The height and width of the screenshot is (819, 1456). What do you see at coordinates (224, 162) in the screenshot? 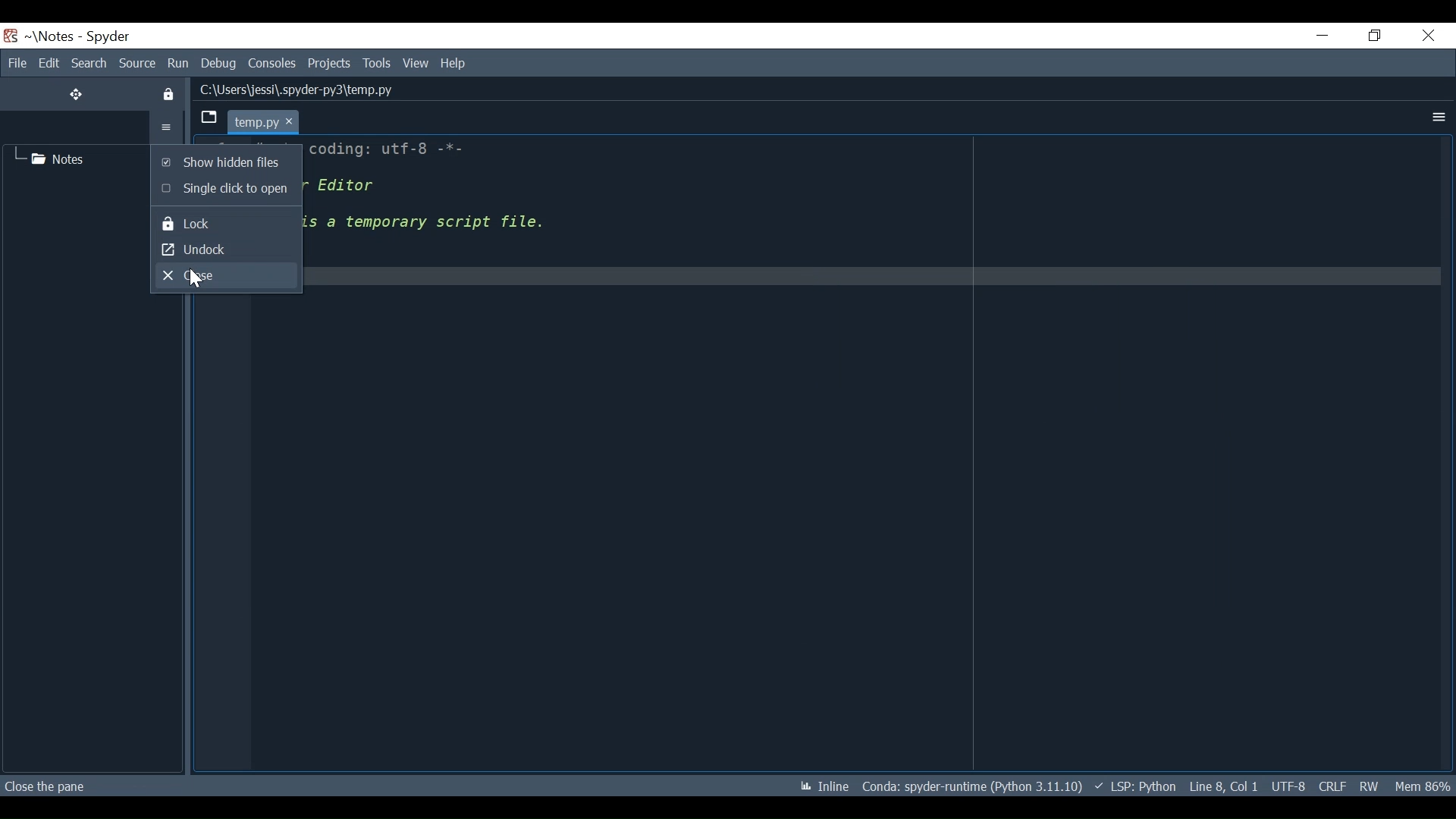
I see `Show hidden files` at bounding box center [224, 162].